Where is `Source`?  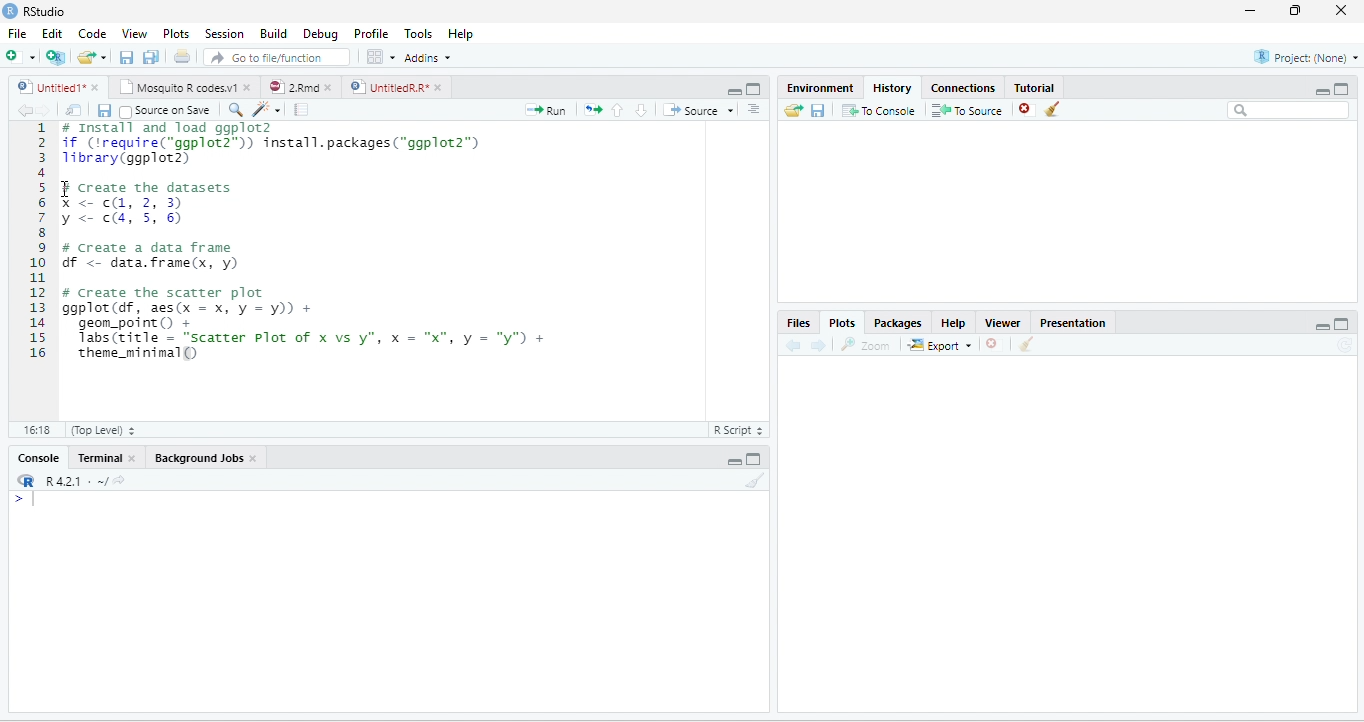
Source is located at coordinates (697, 110).